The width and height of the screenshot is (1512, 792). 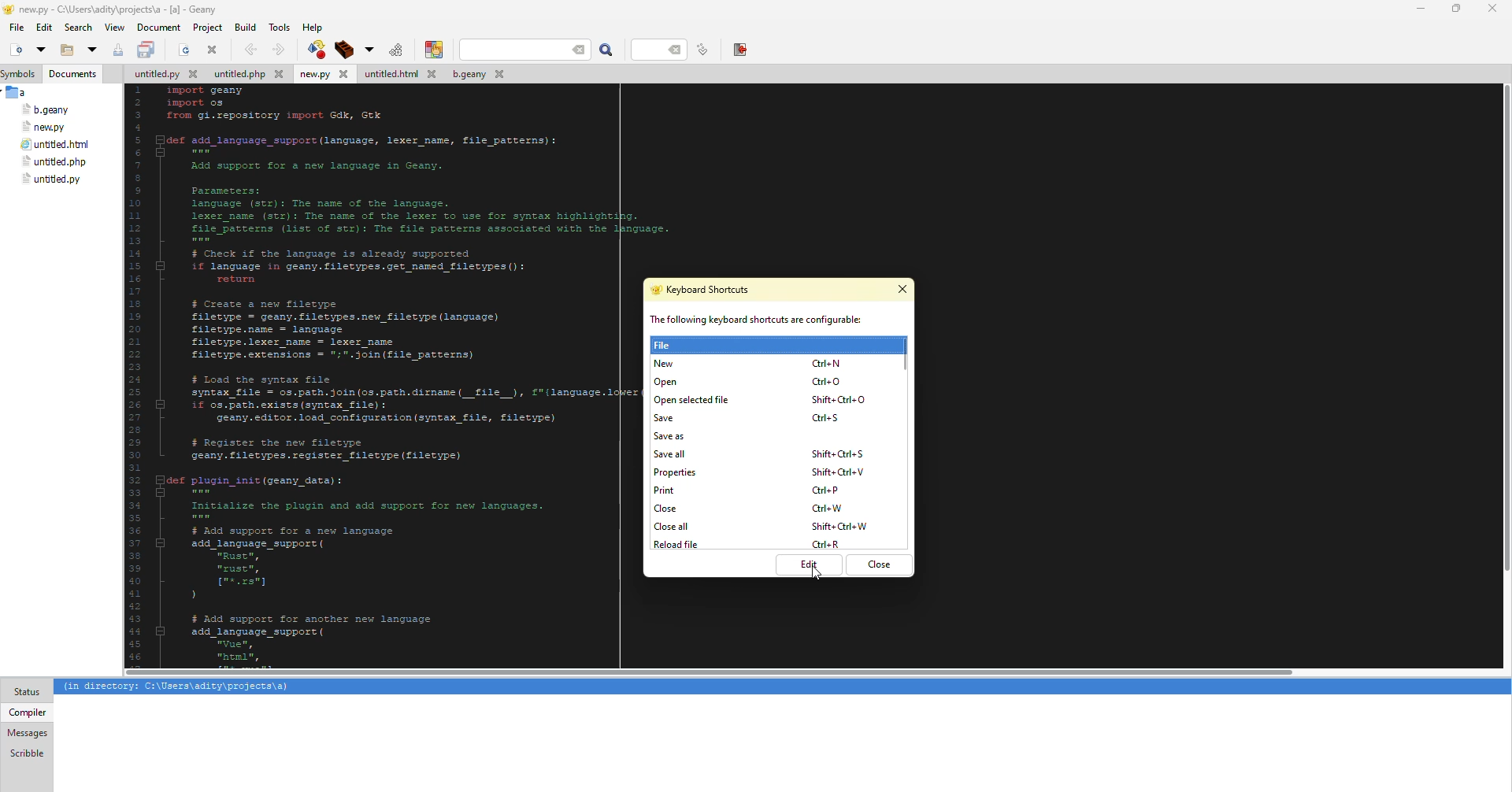 What do you see at coordinates (55, 146) in the screenshot?
I see `file` at bounding box center [55, 146].